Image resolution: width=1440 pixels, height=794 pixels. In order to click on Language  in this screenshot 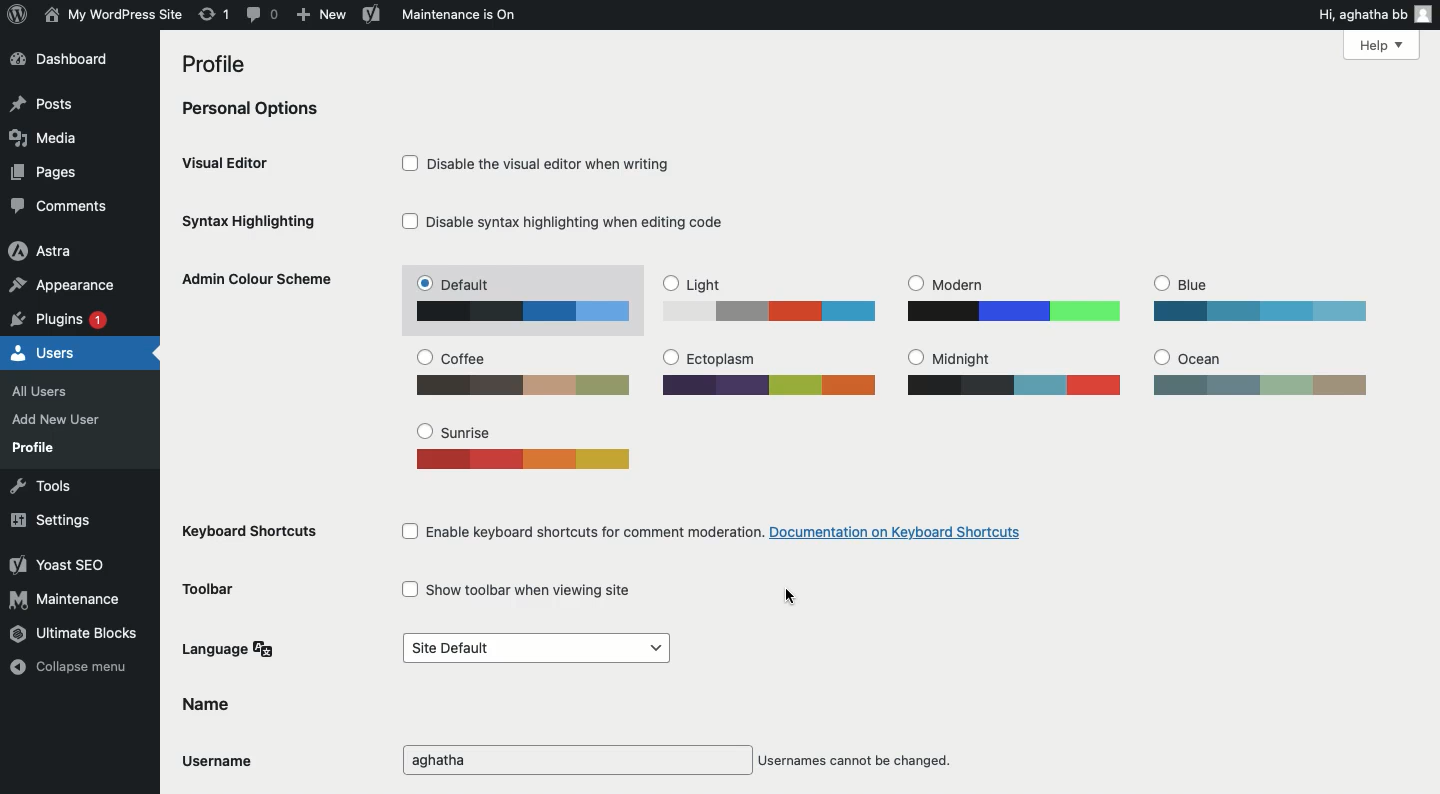, I will do `click(229, 649)`.